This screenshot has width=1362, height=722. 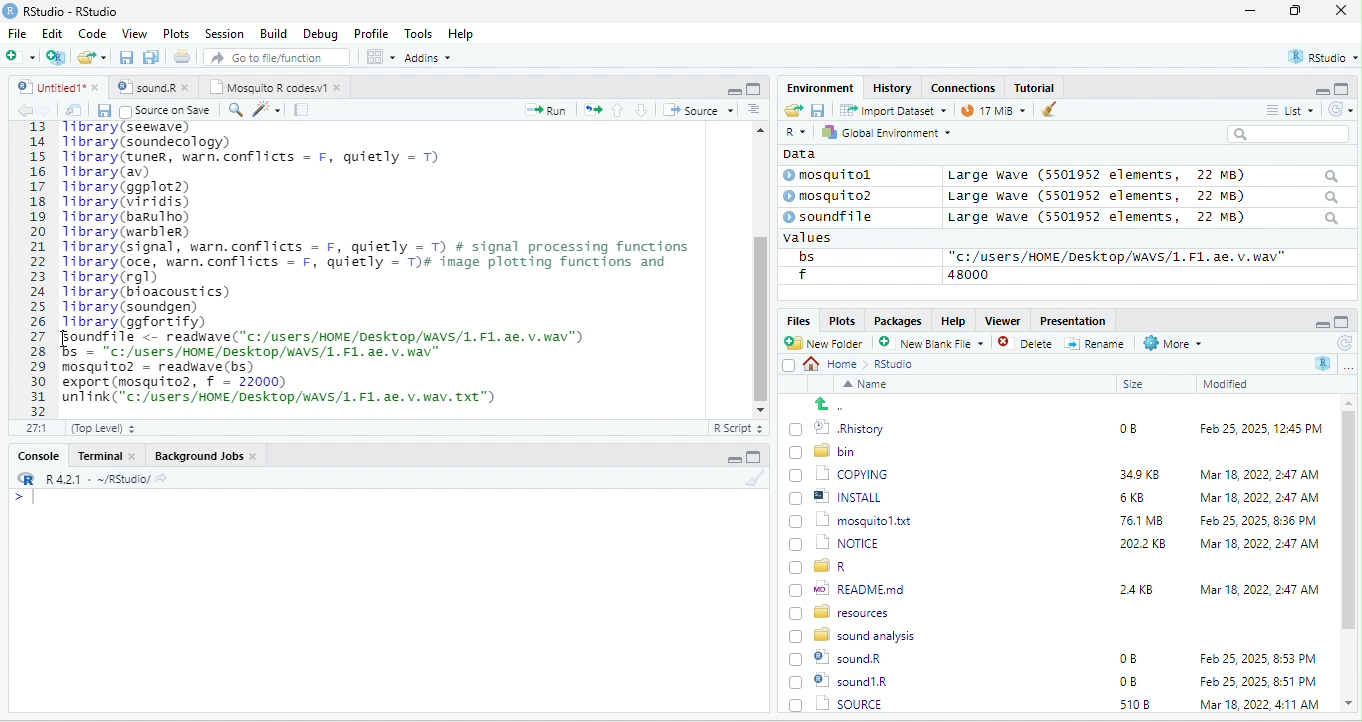 What do you see at coordinates (593, 108) in the screenshot?
I see `open` at bounding box center [593, 108].